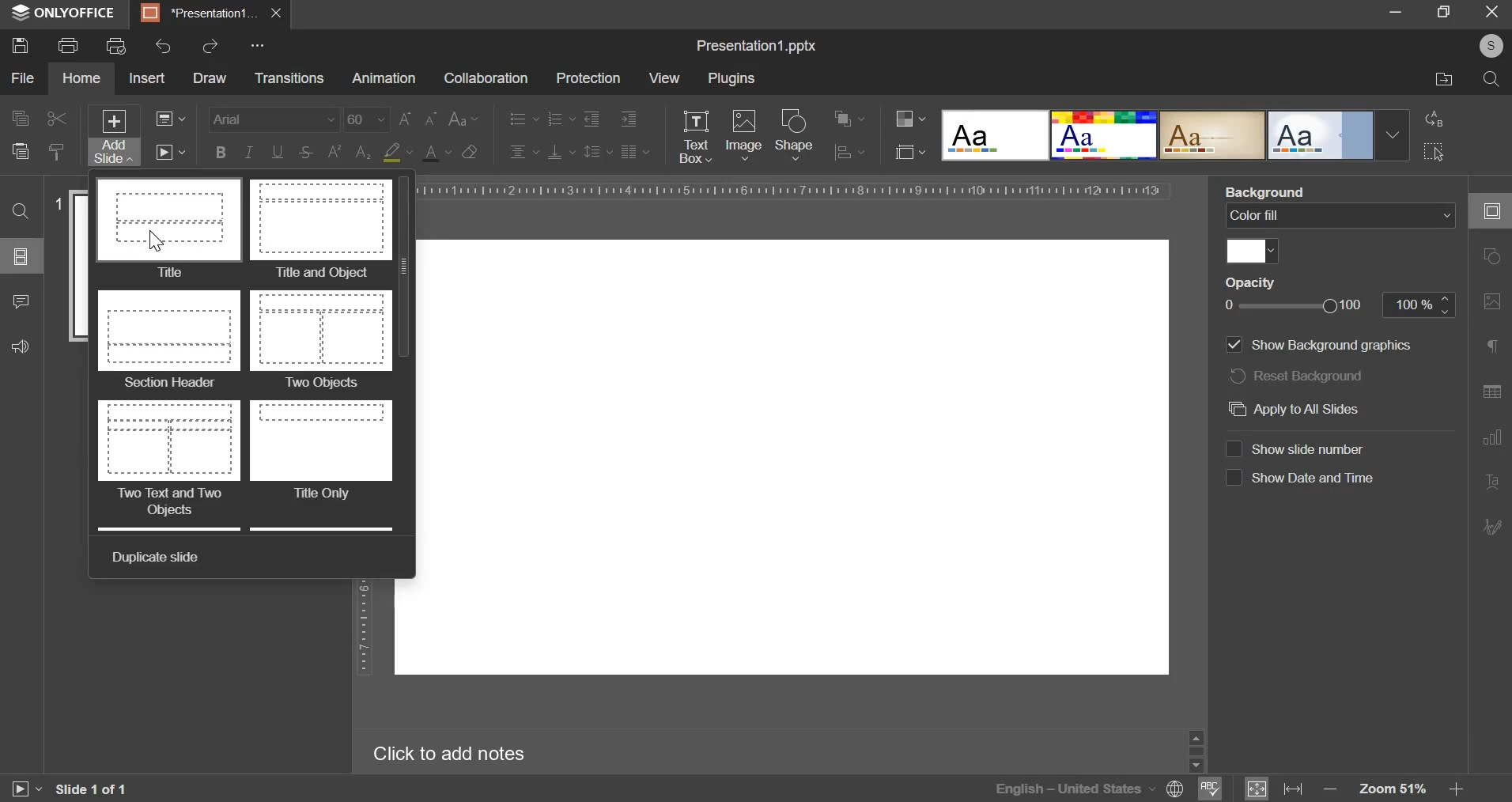  What do you see at coordinates (19, 149) in the screenshot?
I see `paste` at bounding box center [19, 149].